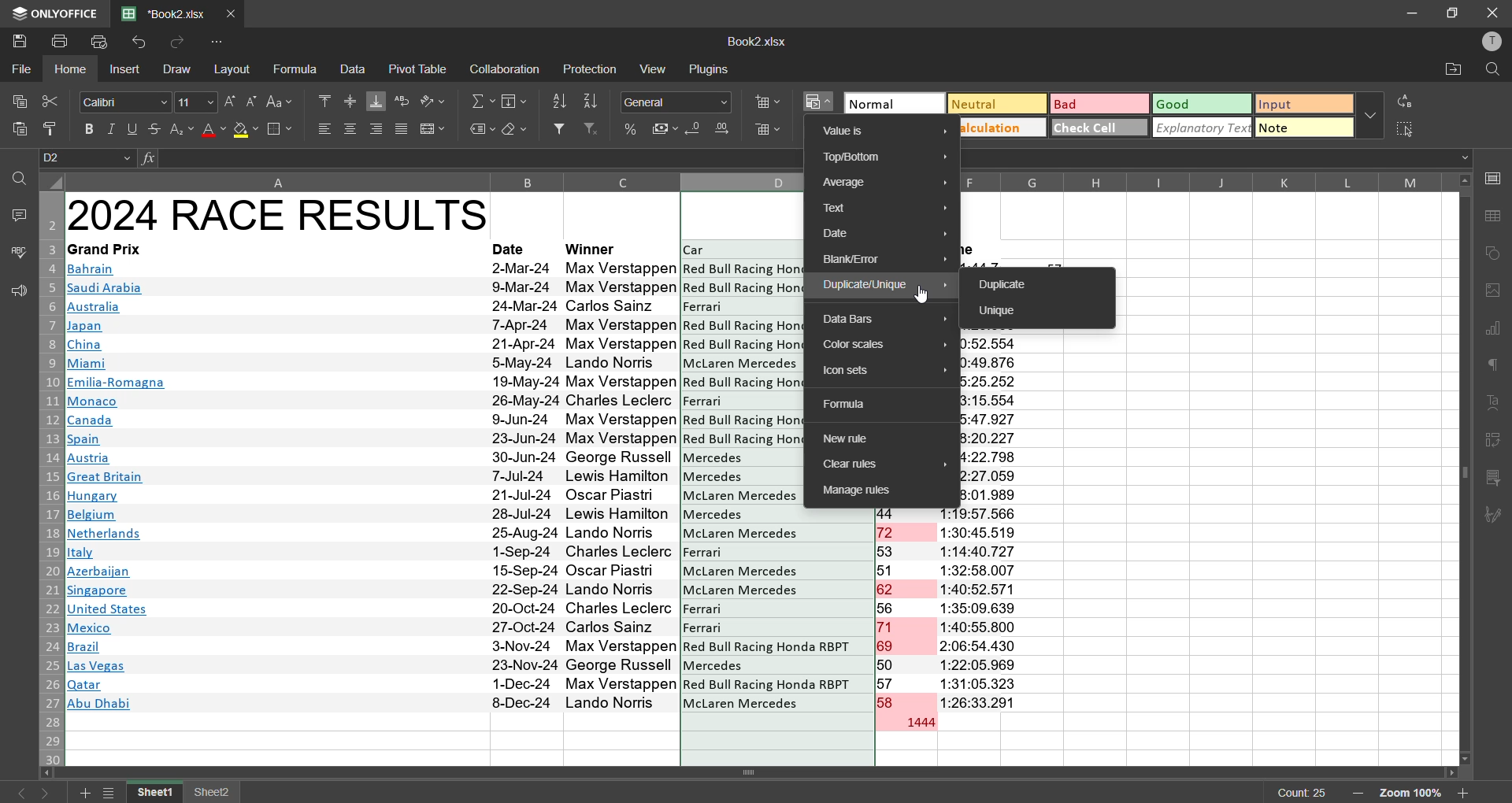 This screenshot has height=803, width=1512. Describe the element at coordinates (1494, 516) in the screenshot. I see `signature` at that location.